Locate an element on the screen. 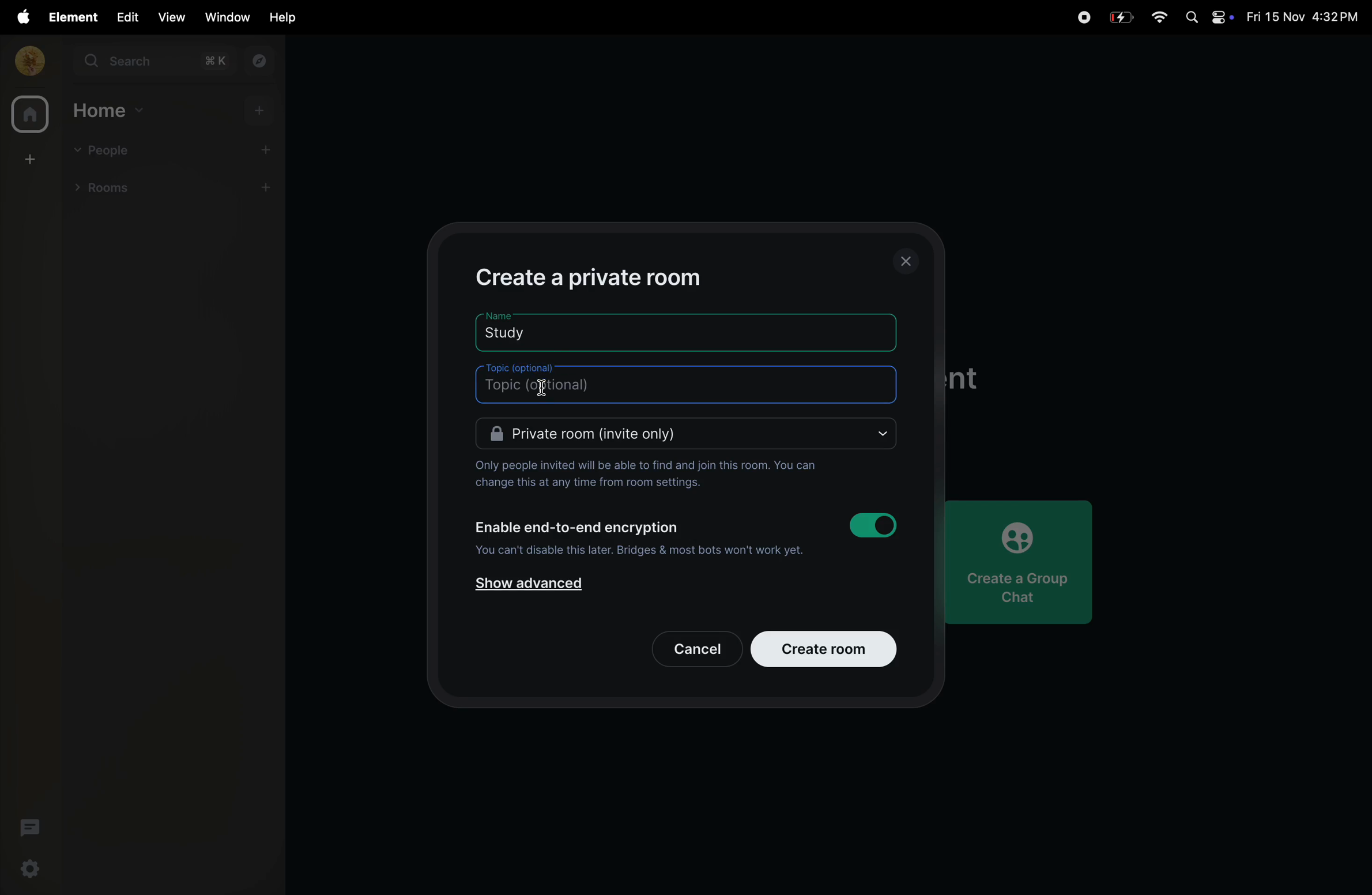  cursor is located at coordinates (544, 394).